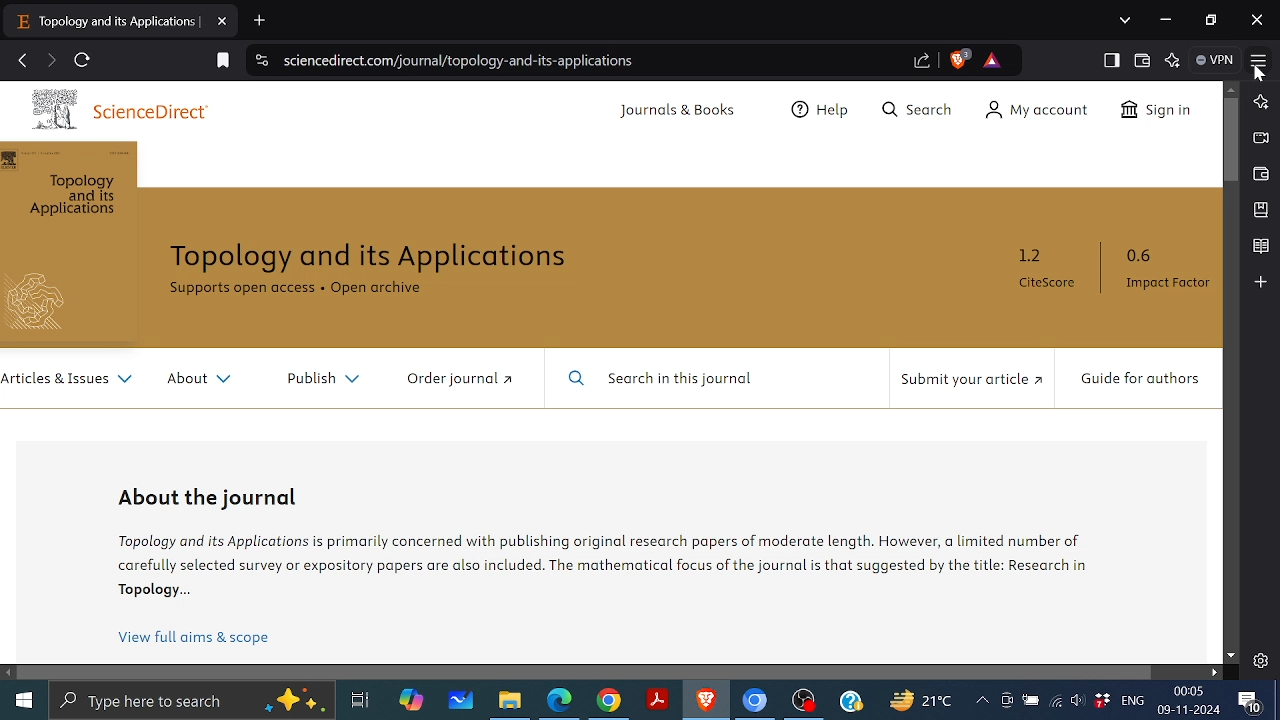 The width and height of the screenshot is (1280, 720). Describe the element at coordinates (1260, 209) in the screenshot. I see `Bookmarks` at that location.